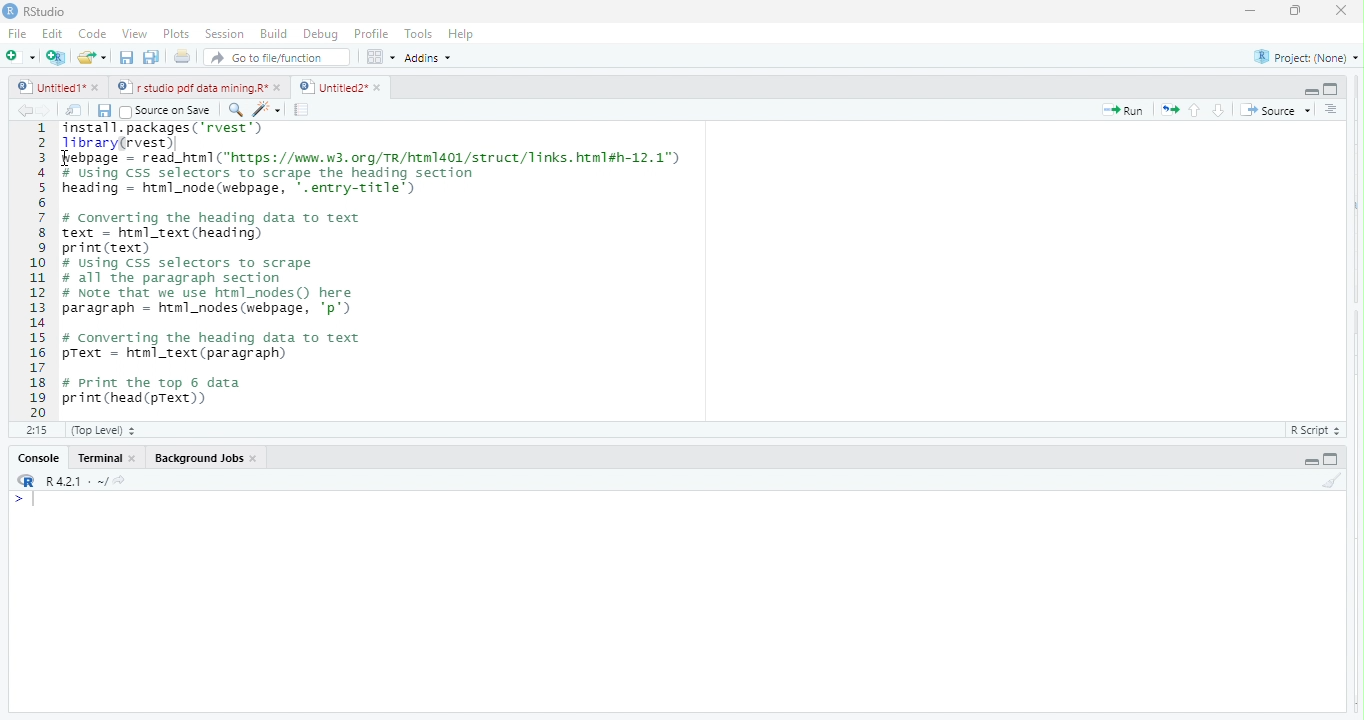 The image size is (1364, 720). Describe the element at coordinates (175, 34) in the screenshot. I see `Plots` at that location.